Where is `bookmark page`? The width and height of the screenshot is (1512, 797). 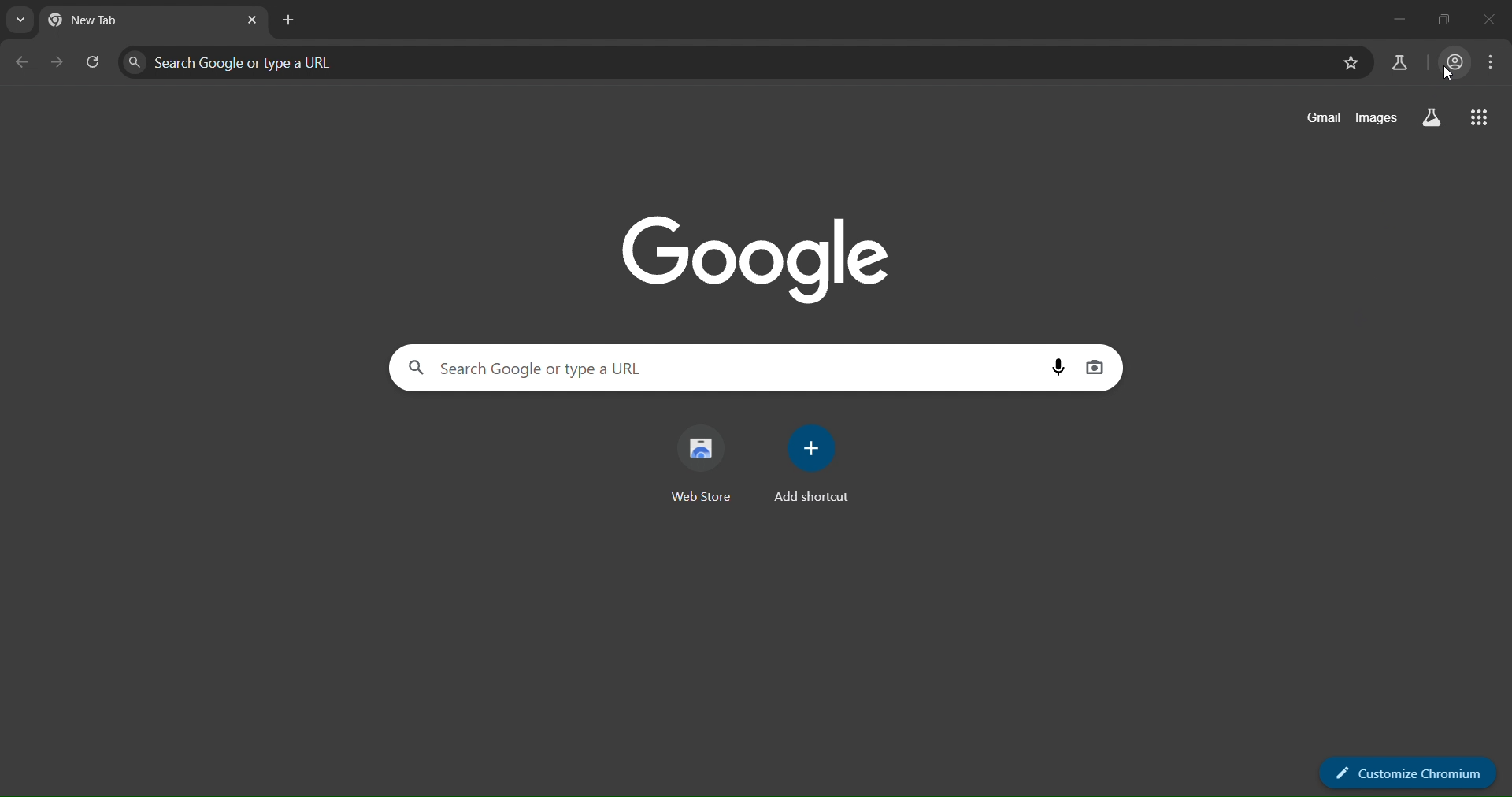 bookmark page is located at coordinates (1351, 63).